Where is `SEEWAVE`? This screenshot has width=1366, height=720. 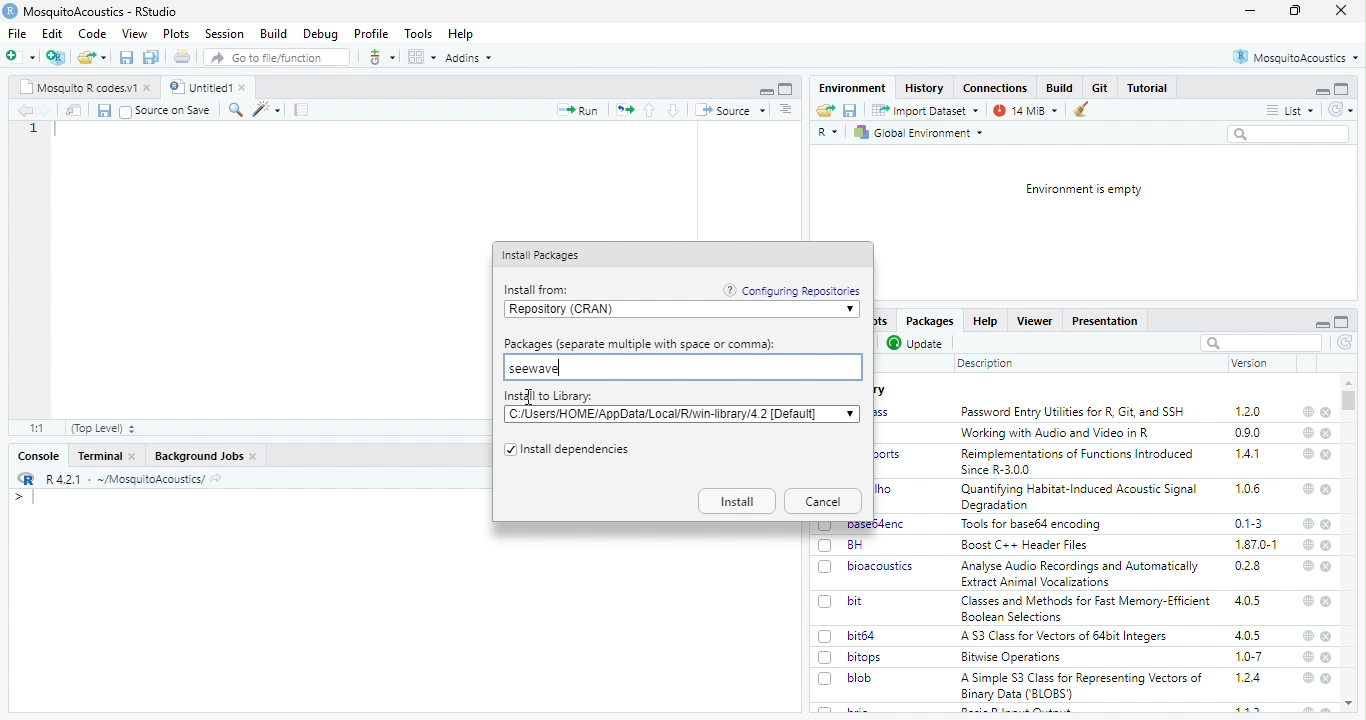
SEEWAVE is located at coordinates (681, 368).